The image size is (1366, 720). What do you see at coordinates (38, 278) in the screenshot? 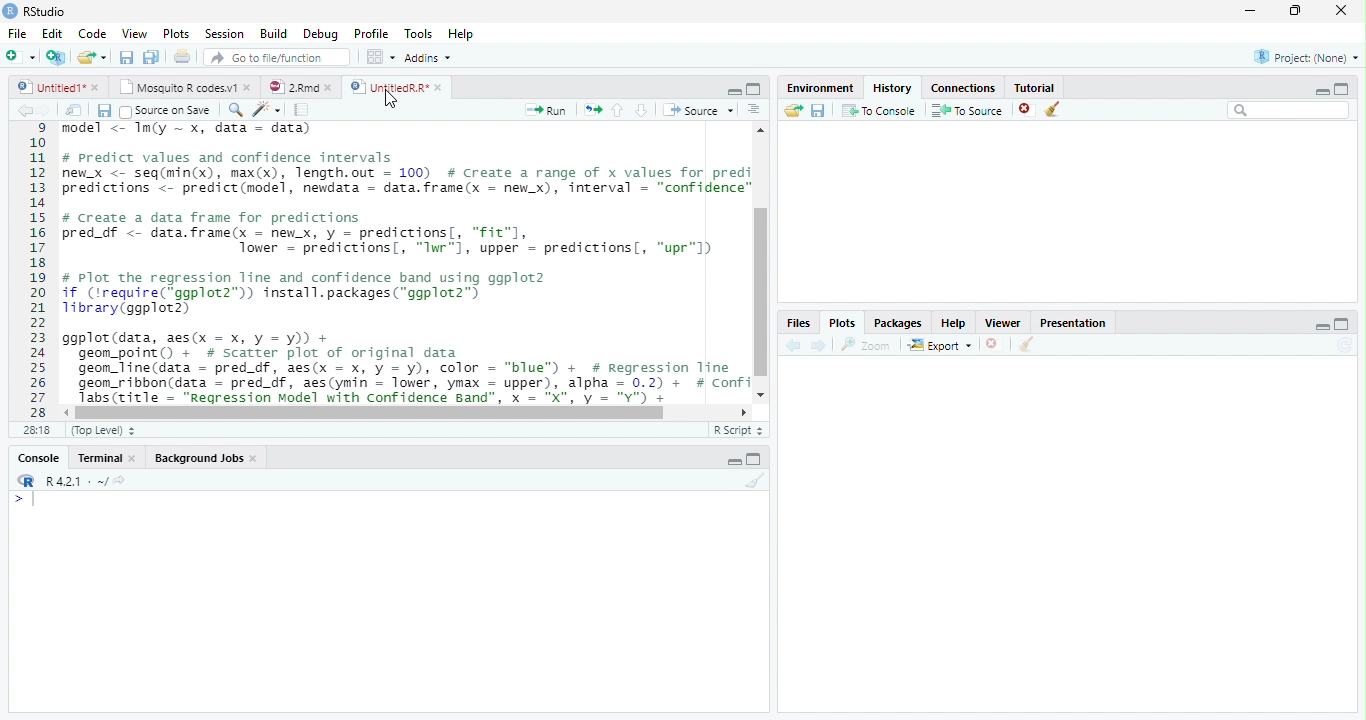
I see `11121311s161718192021223225262728` at bounding box center [38, 278].